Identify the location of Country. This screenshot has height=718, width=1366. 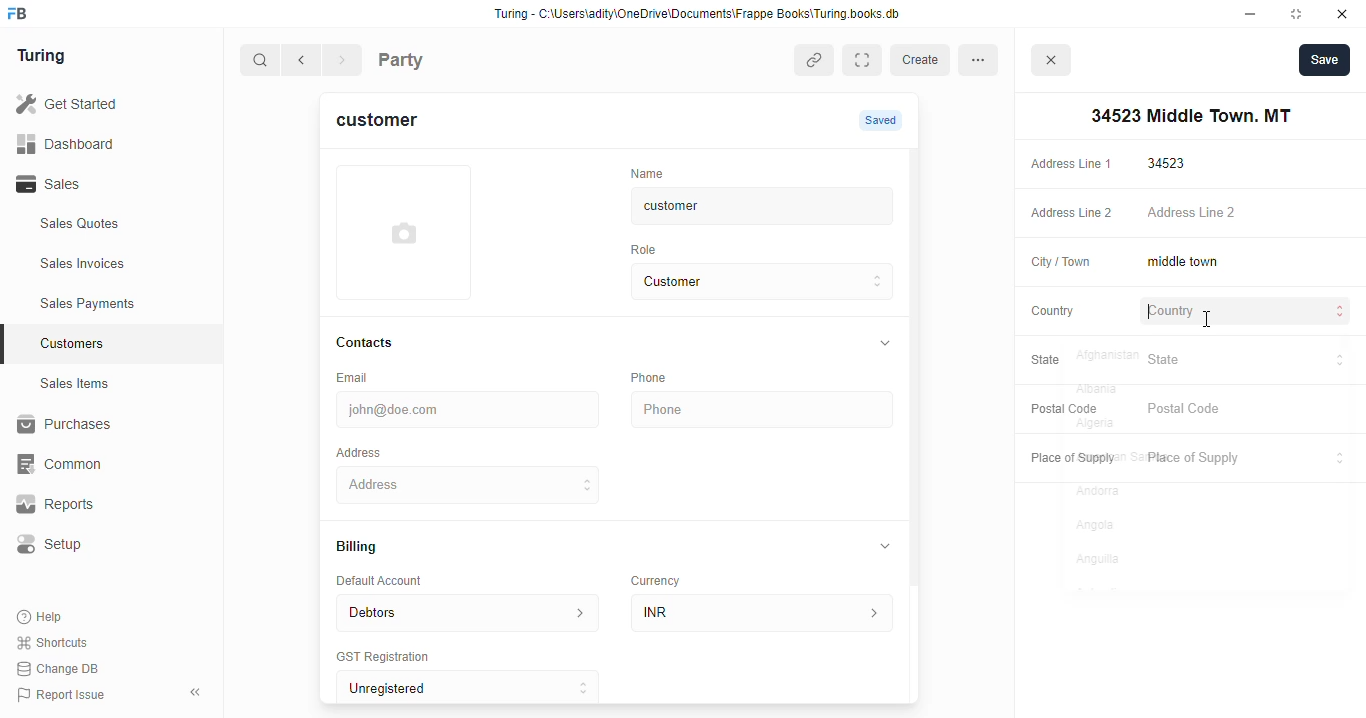
(1248, 313).